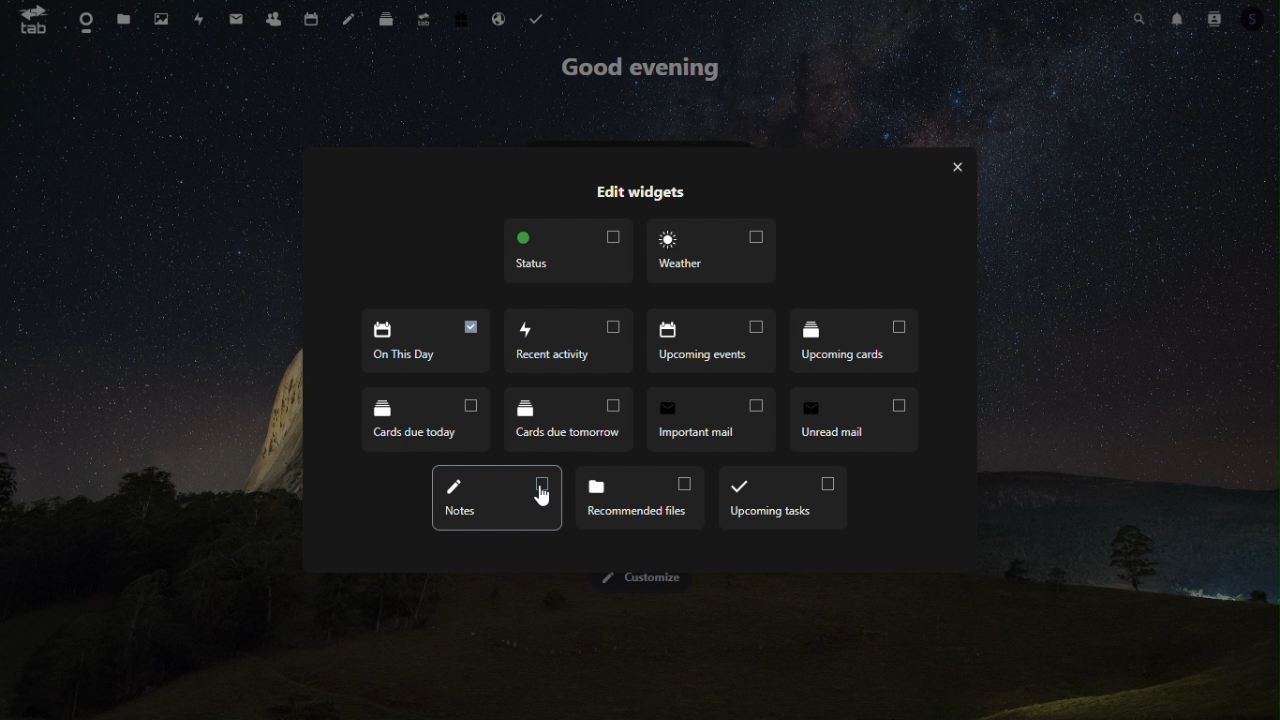 This screenshot has width=1280, height=720. Describe the element at coordinates (1175, 17) in the screenshot. I see `Notifications` at that location.